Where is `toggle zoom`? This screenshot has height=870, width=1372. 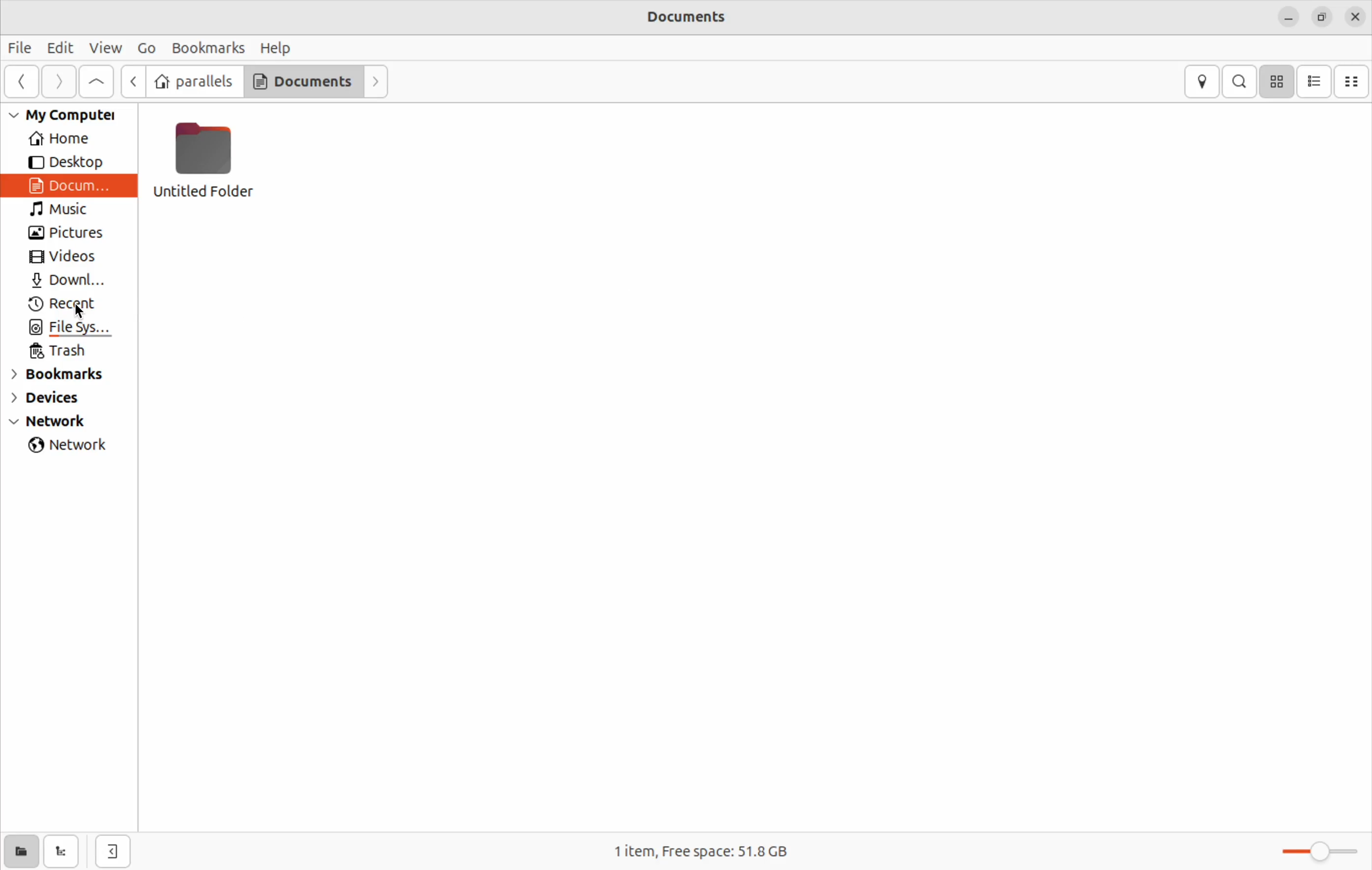 toggle zoom is located at coordinates (1309, 848).